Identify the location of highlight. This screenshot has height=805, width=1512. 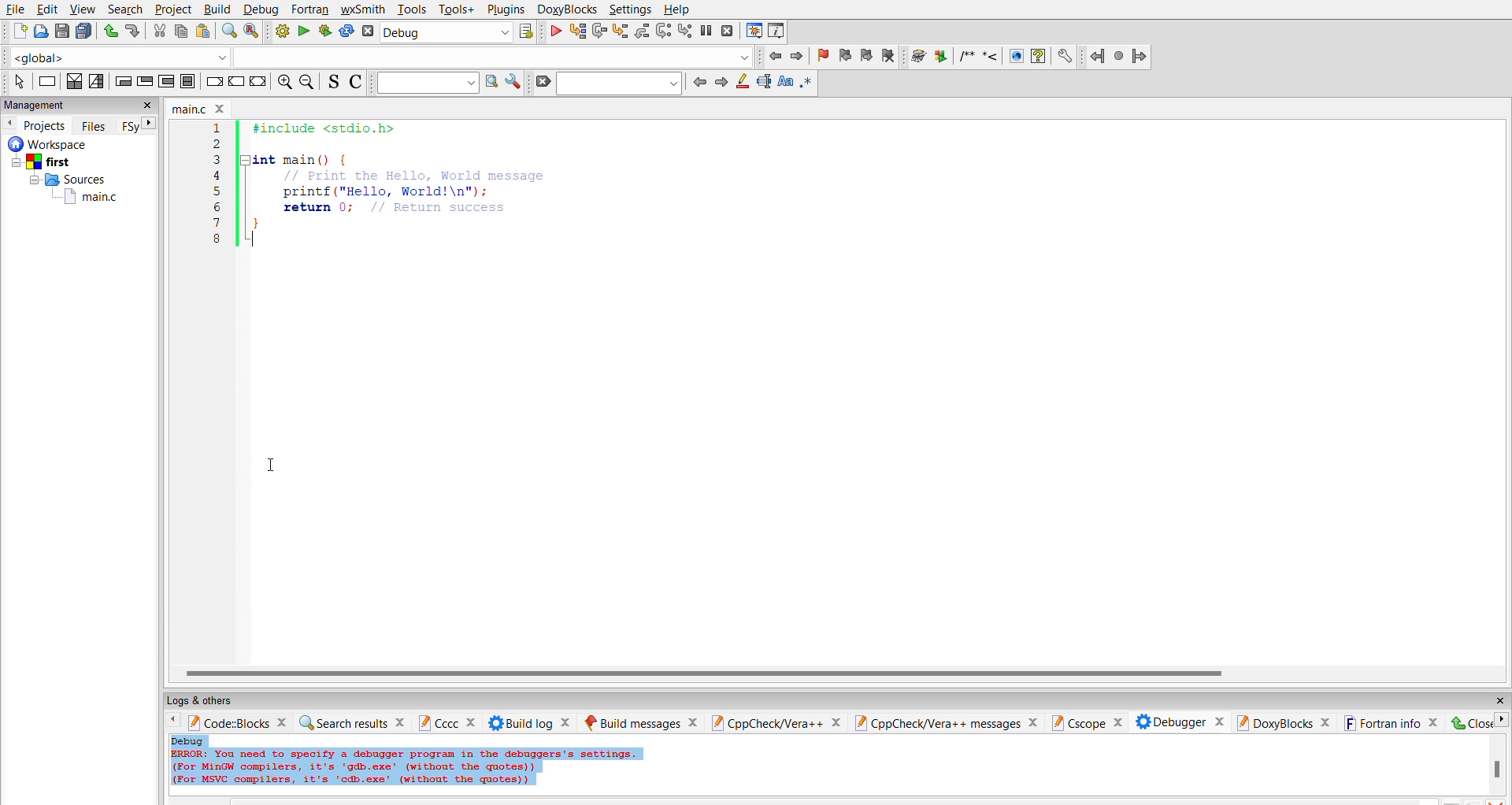
(743, 83).